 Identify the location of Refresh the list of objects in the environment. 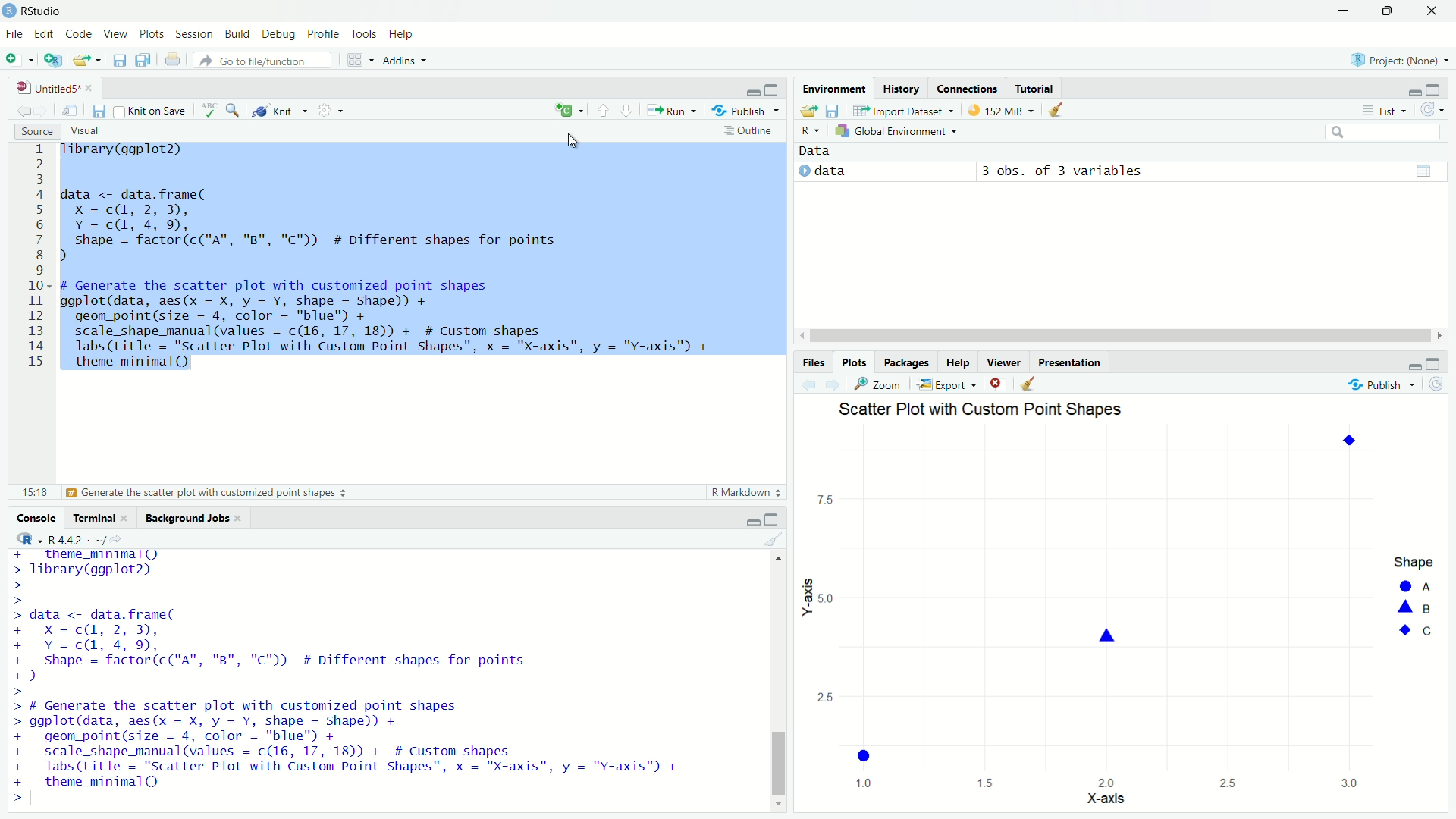
(1432, 109).